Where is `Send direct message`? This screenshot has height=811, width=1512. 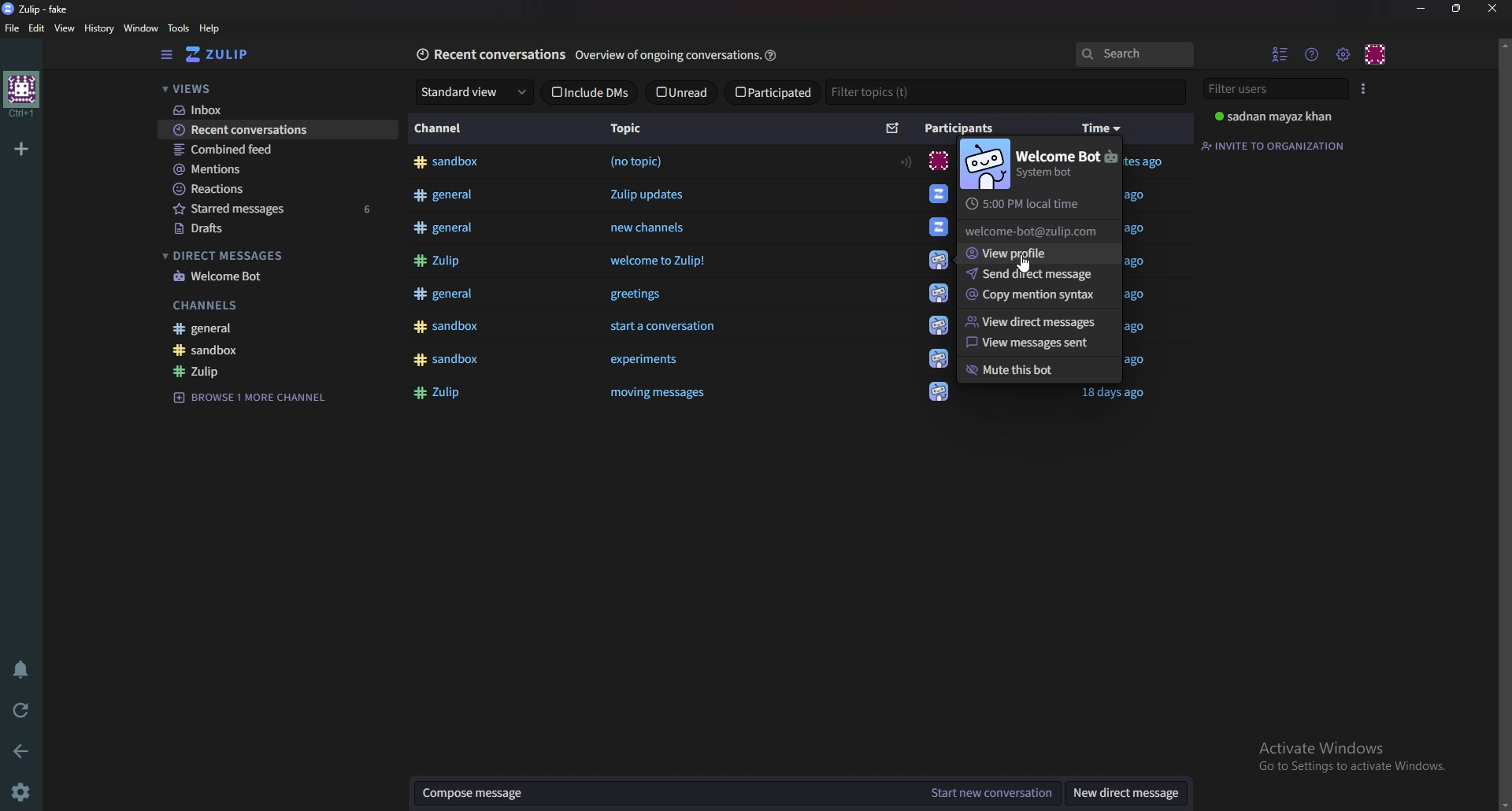 Send direct message is located at coordinates (1034, 273).